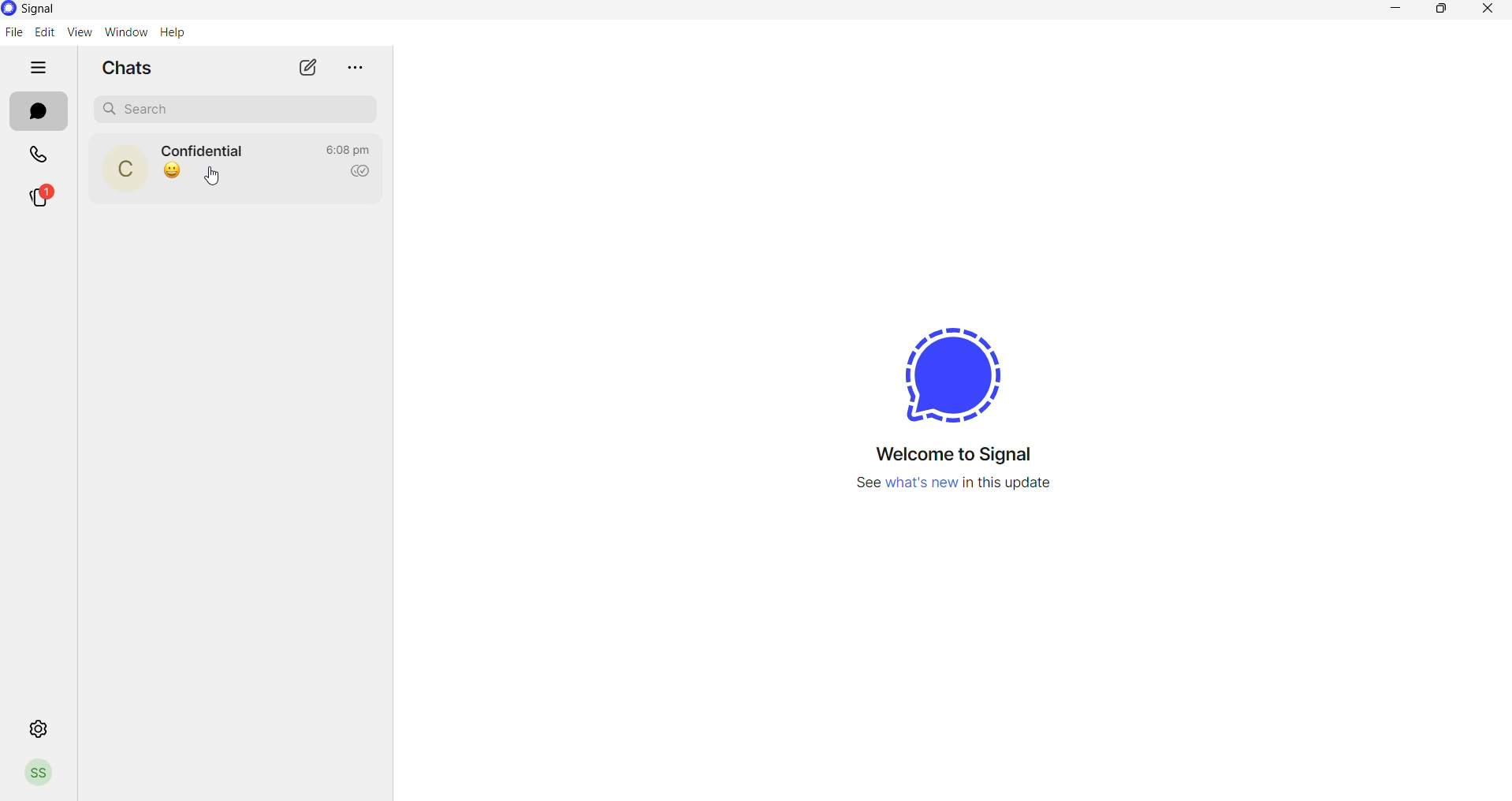  I want to click on stories, so click(41, 195).